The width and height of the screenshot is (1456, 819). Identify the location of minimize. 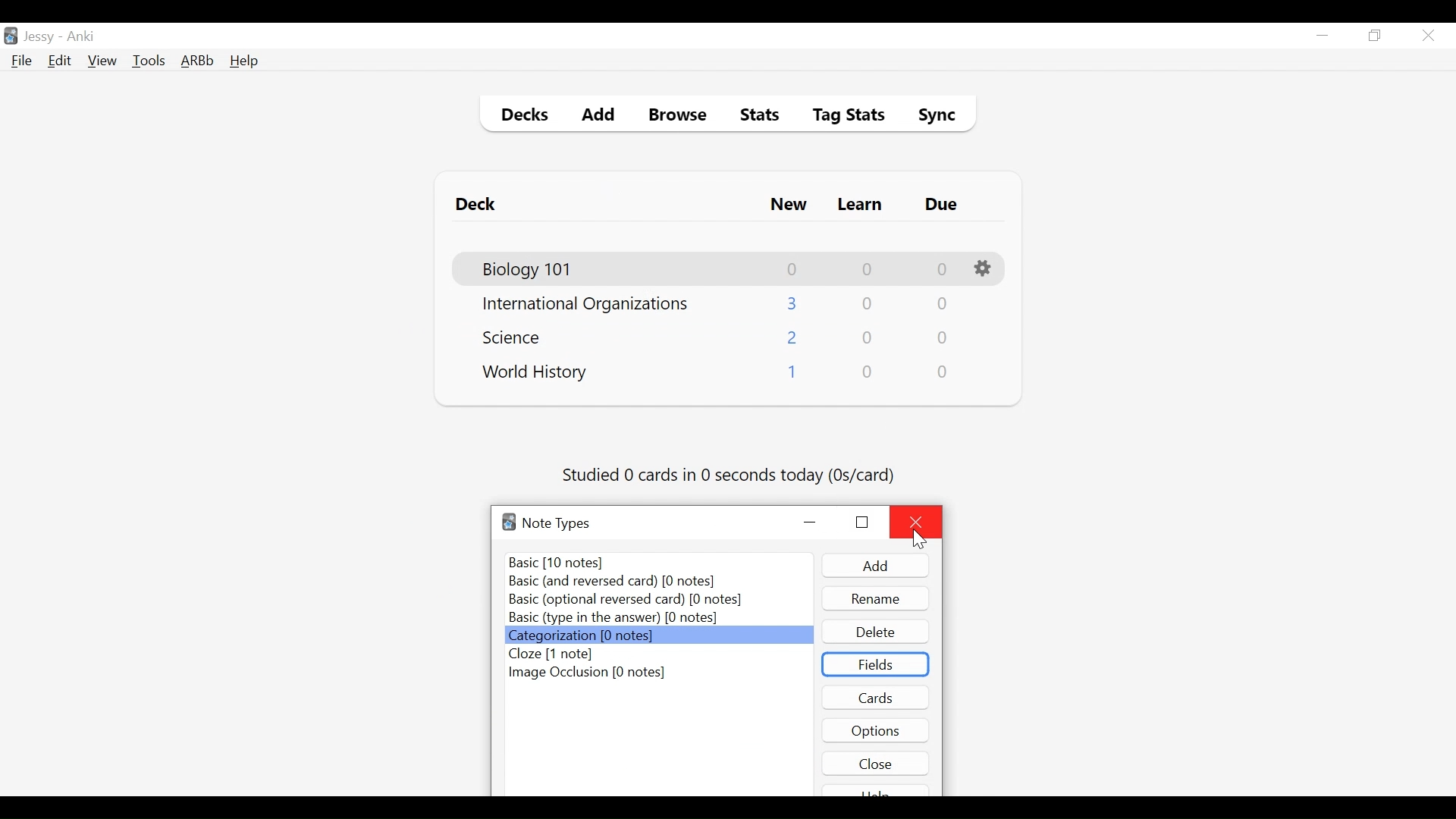
(811, 523).